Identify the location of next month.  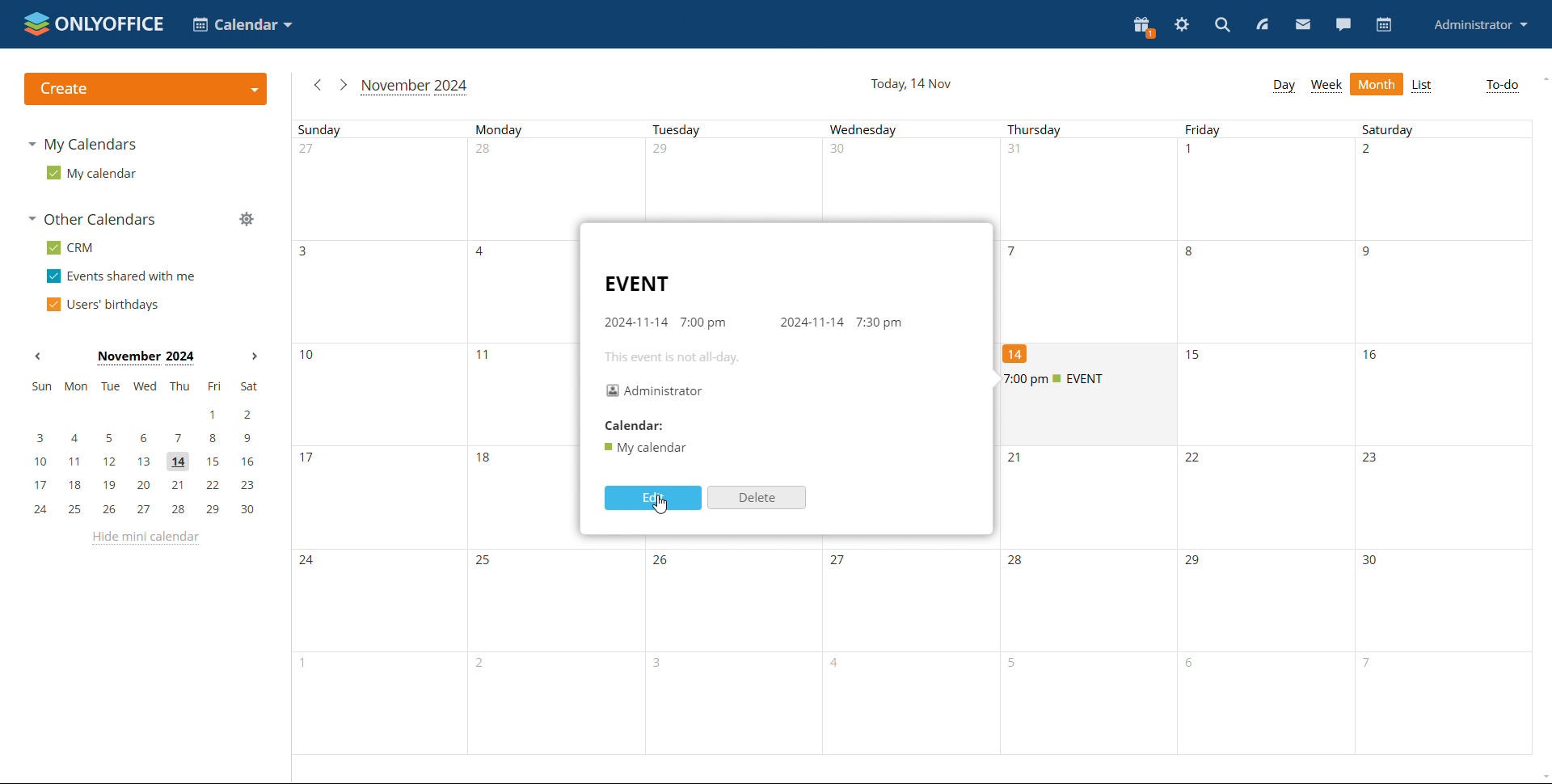
(255, 357).